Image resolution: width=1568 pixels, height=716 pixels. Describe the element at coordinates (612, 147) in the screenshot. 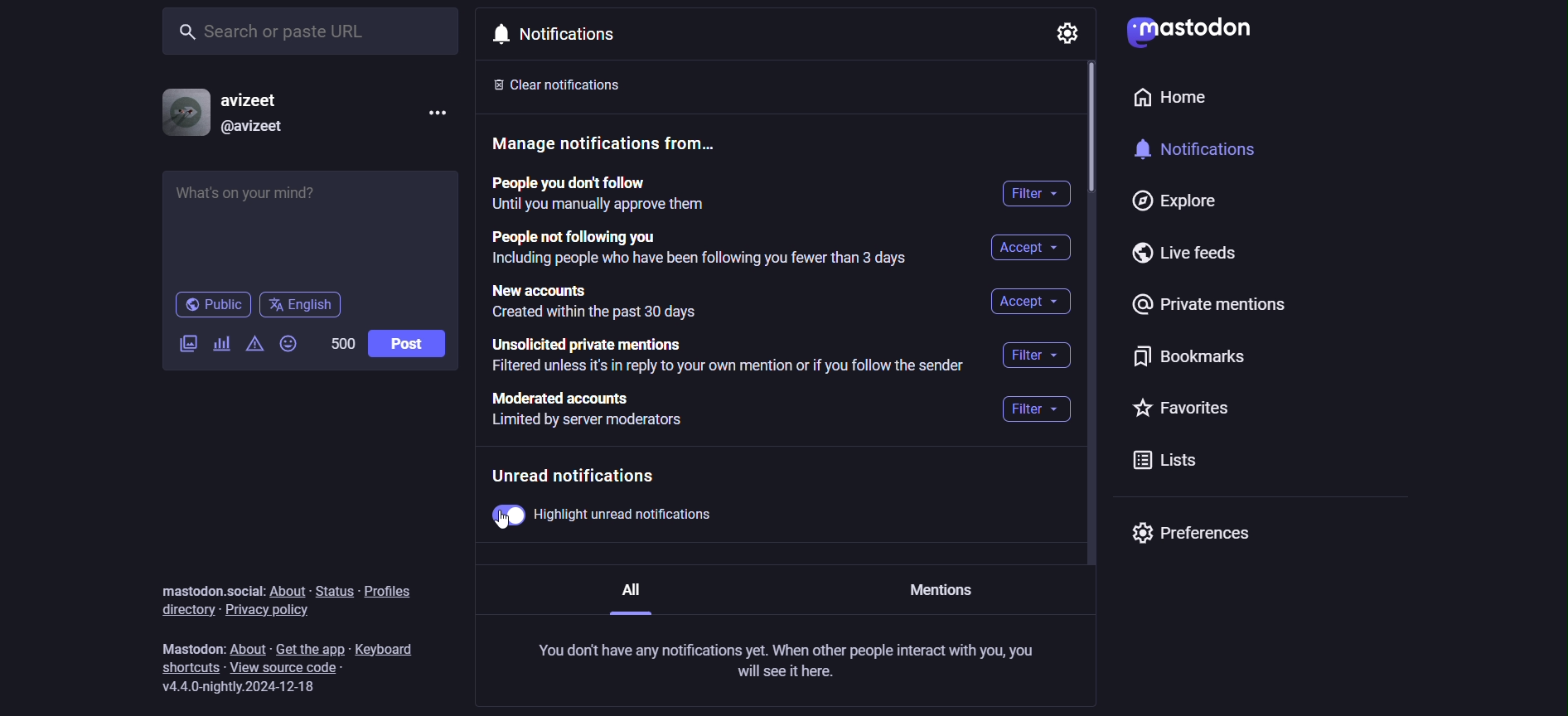

I see `manage notification from` at that location.